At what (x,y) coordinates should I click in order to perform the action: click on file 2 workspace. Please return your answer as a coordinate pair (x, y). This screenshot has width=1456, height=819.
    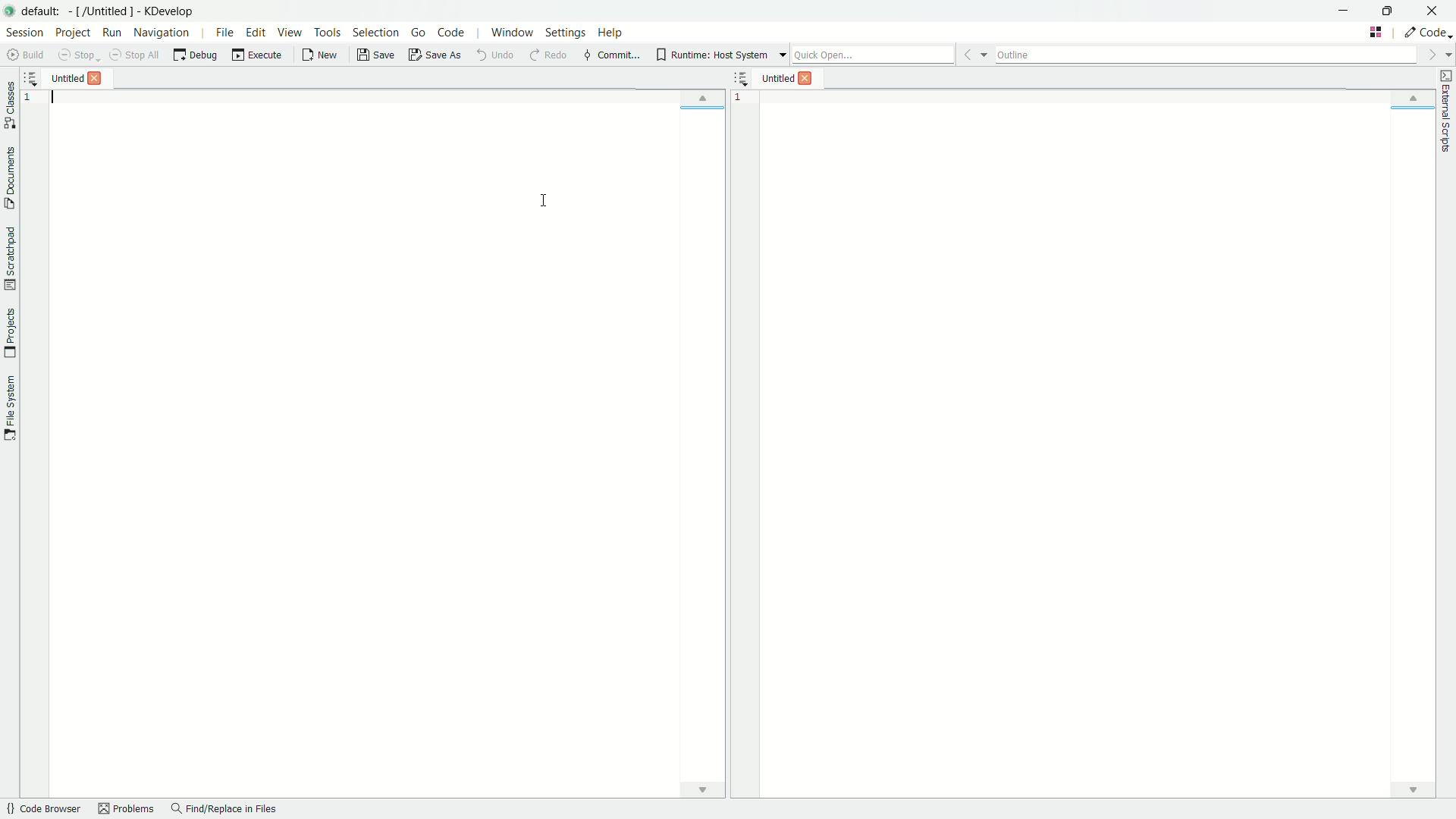
    Looking at the image, I should click on (1076, 444).